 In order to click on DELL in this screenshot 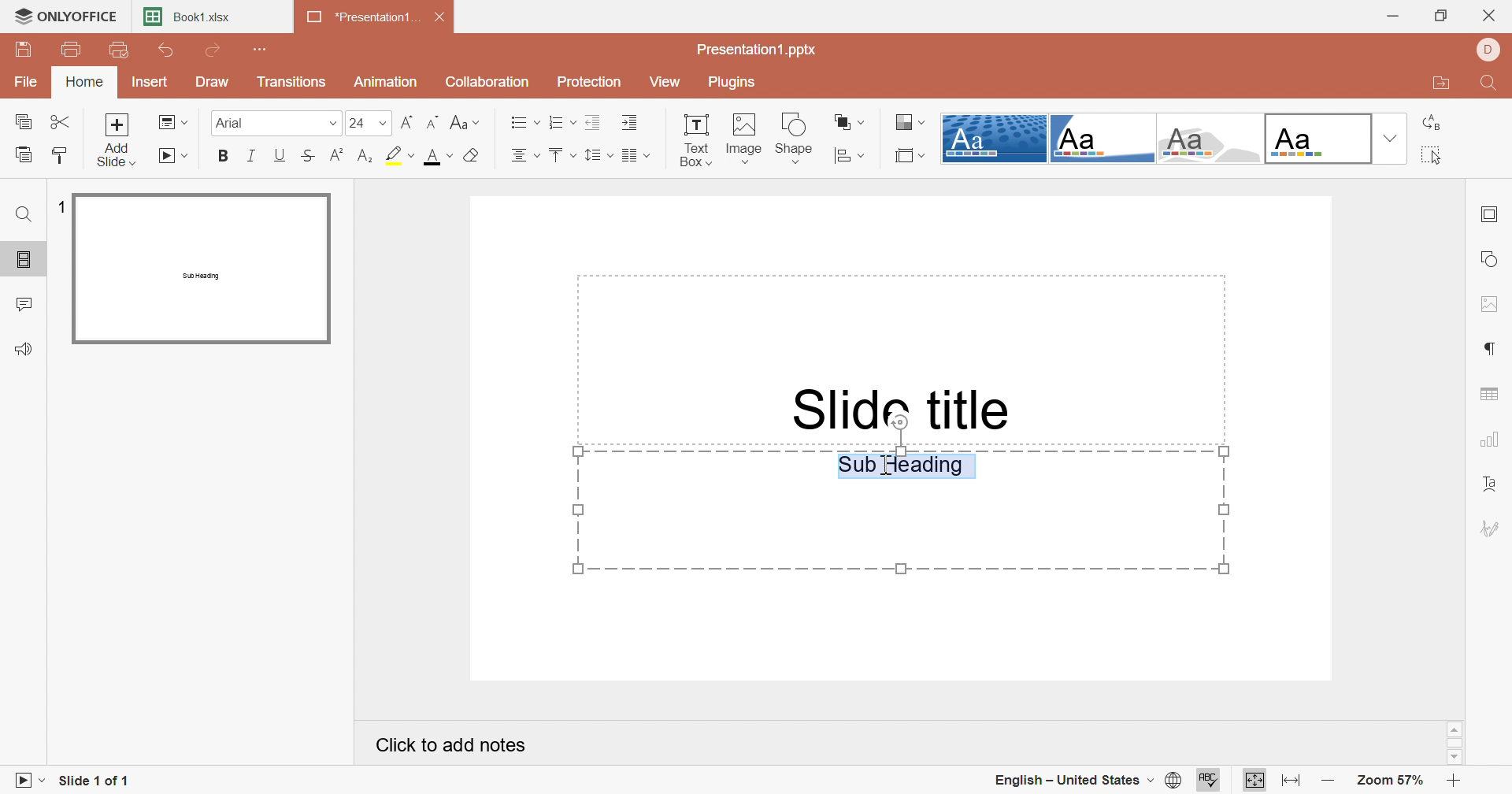, I will do `click(1491, 49)`.